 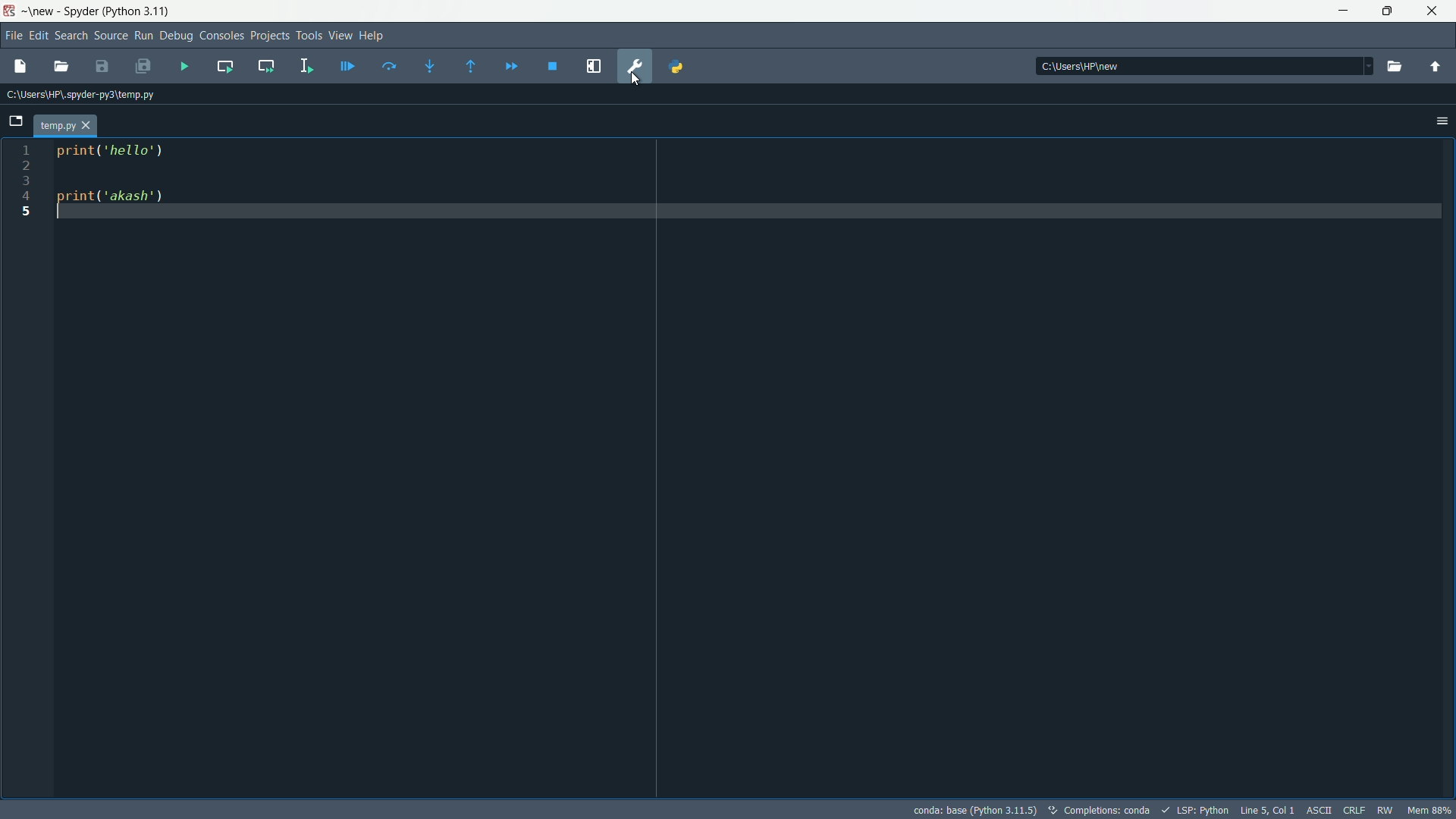 What do you see at coordinates (1385, 808) in the screenshot?
I see `RW` at bounding box center [1385, 808].